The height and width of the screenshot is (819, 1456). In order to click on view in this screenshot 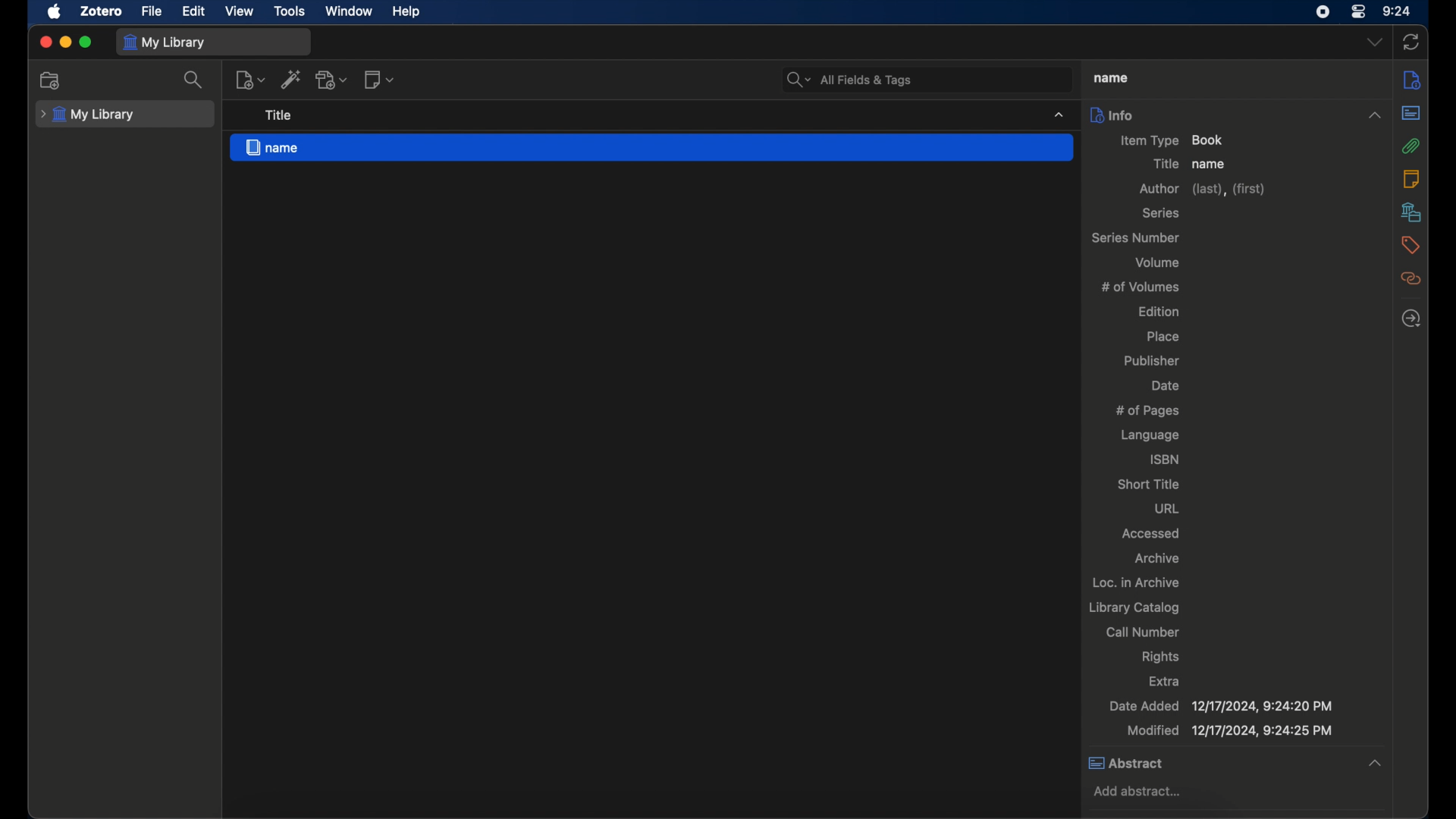, I will do `click(238, 11)`.